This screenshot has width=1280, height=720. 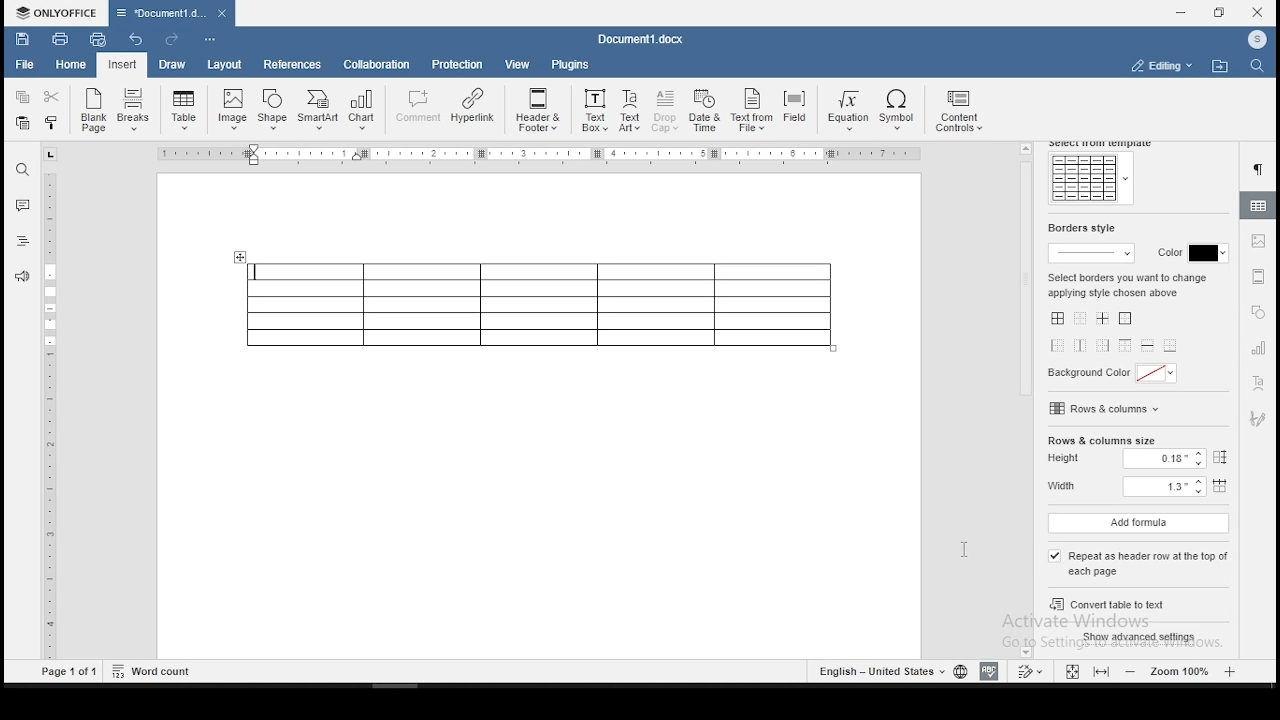 What do you see at coordinates (900, 112) in the screenshot?
I see `Symbol` at bounding box center [900, 112].